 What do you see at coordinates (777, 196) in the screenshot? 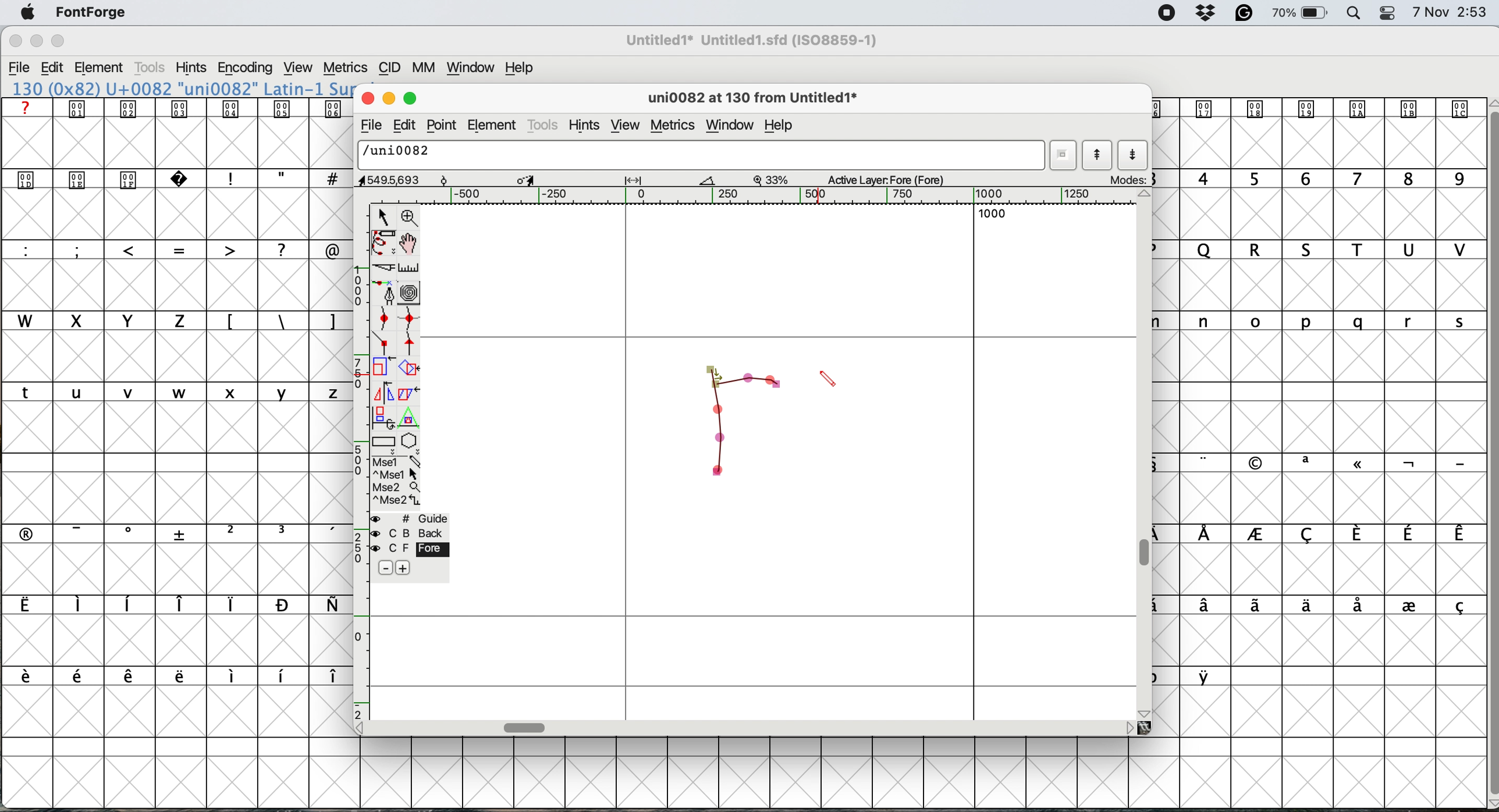
I see `horizontal scale` at bounding box center [777, 196].